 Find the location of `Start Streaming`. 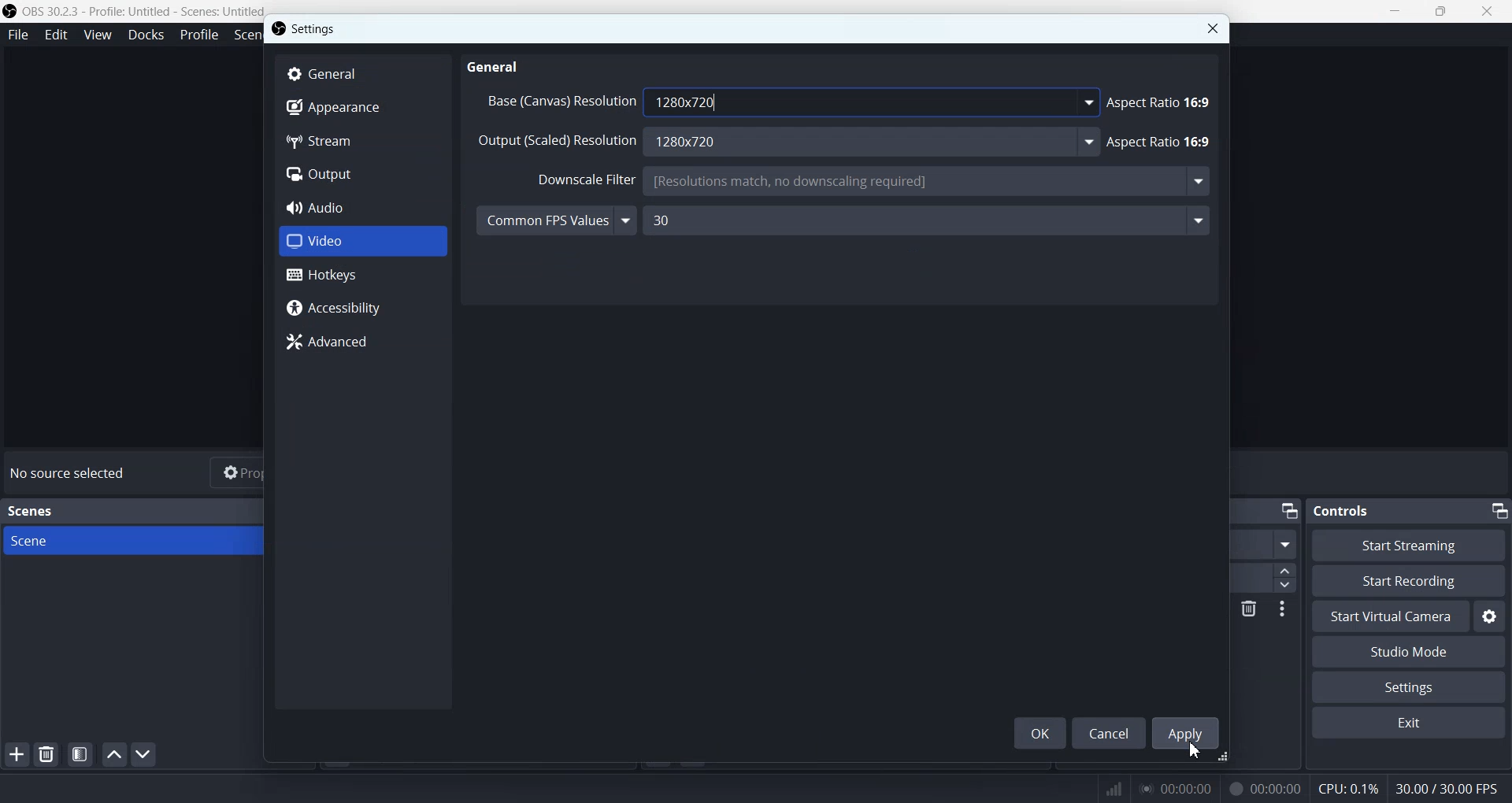

Start Streaming is located at coordinates (1407, 545).